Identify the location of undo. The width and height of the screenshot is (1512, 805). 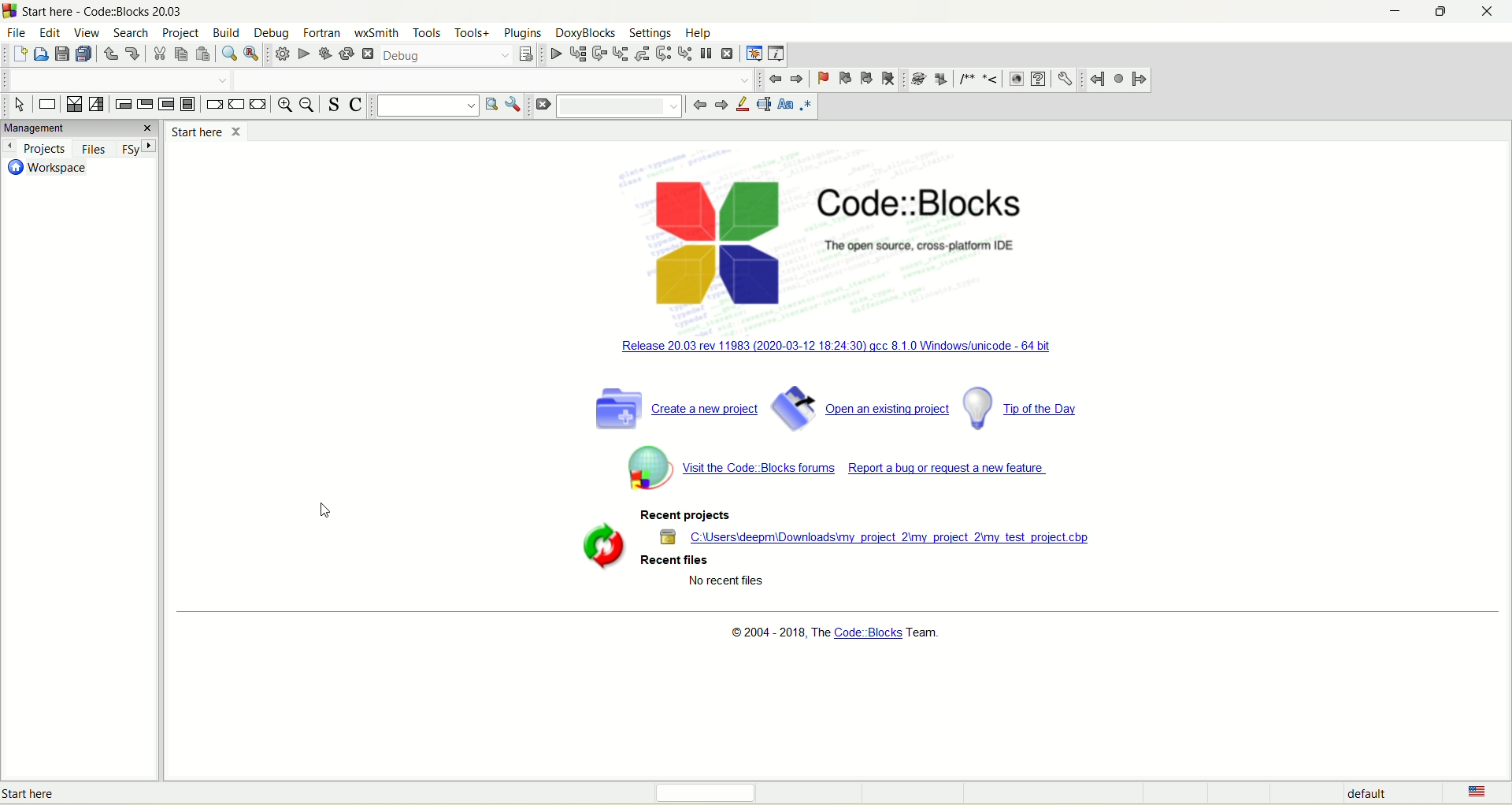
(111, 53).